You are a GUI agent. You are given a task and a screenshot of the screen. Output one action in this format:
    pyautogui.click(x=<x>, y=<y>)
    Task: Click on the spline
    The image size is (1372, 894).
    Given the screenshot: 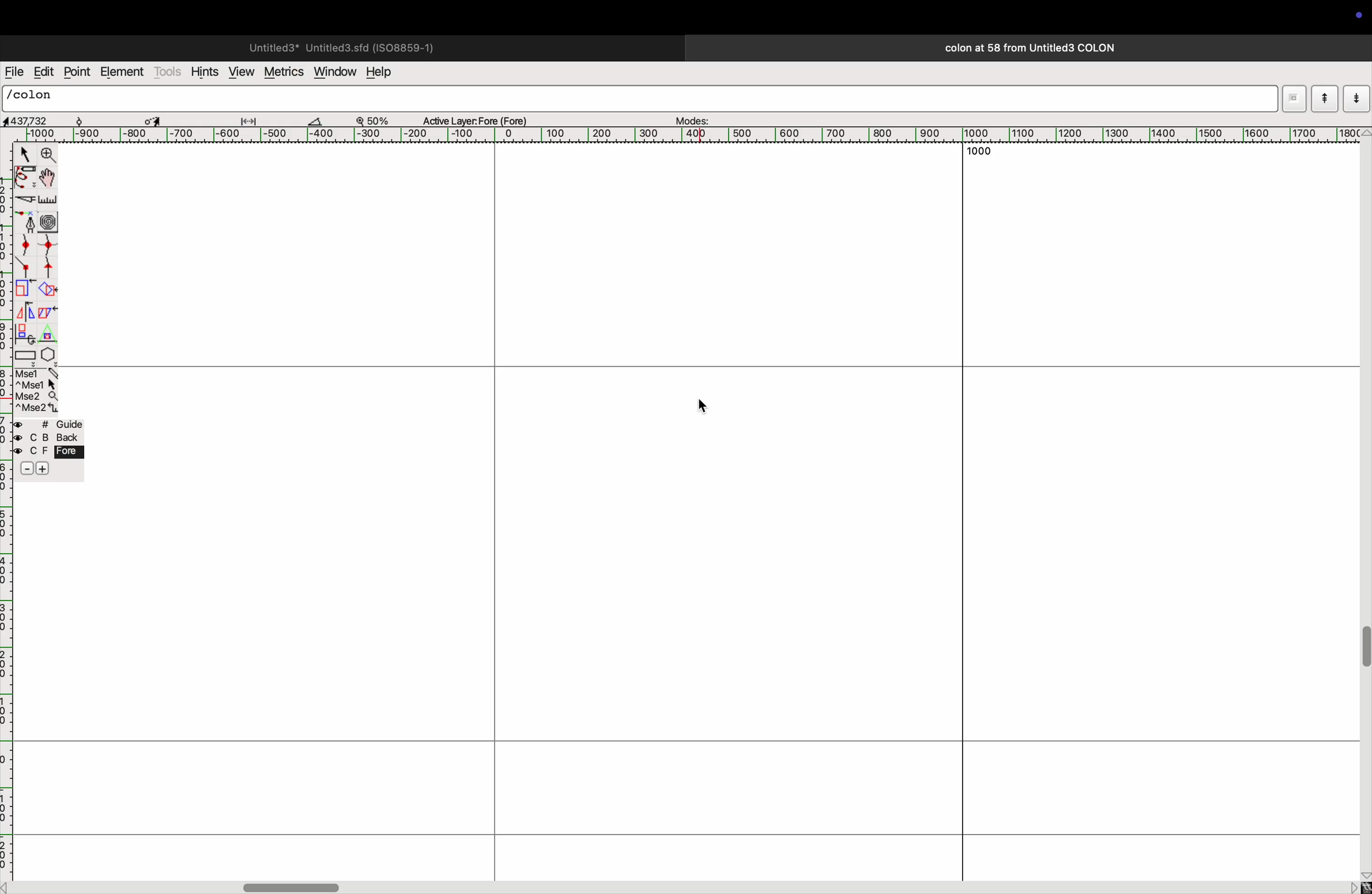 What is the action you would take?
    pyautogui.click(x=39, y=256)
    